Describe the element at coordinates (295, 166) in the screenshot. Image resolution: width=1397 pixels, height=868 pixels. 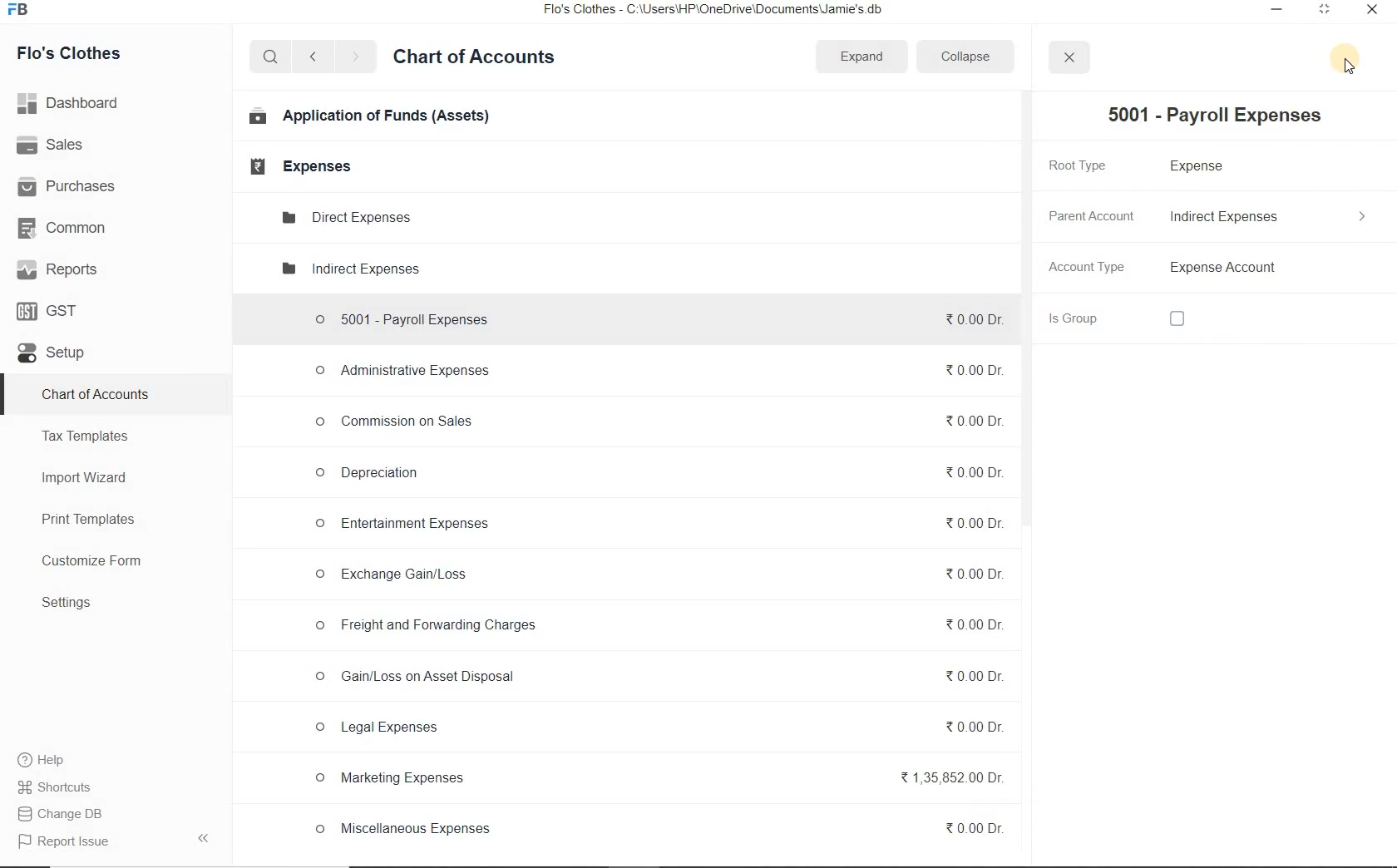
I see `Expenses` at that location.